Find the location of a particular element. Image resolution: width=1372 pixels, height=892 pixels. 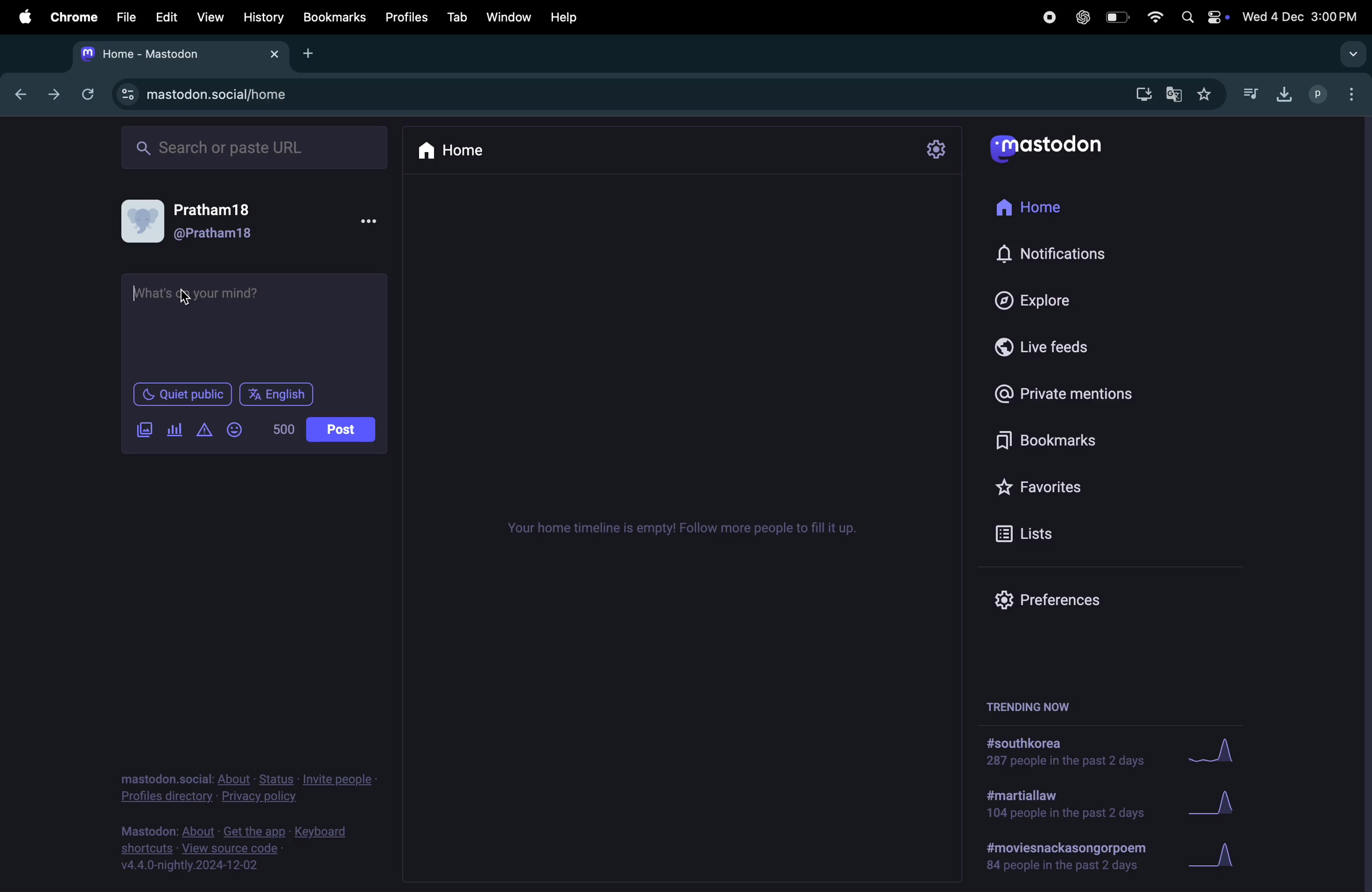

Graph is located at coordinates (1234, 798).